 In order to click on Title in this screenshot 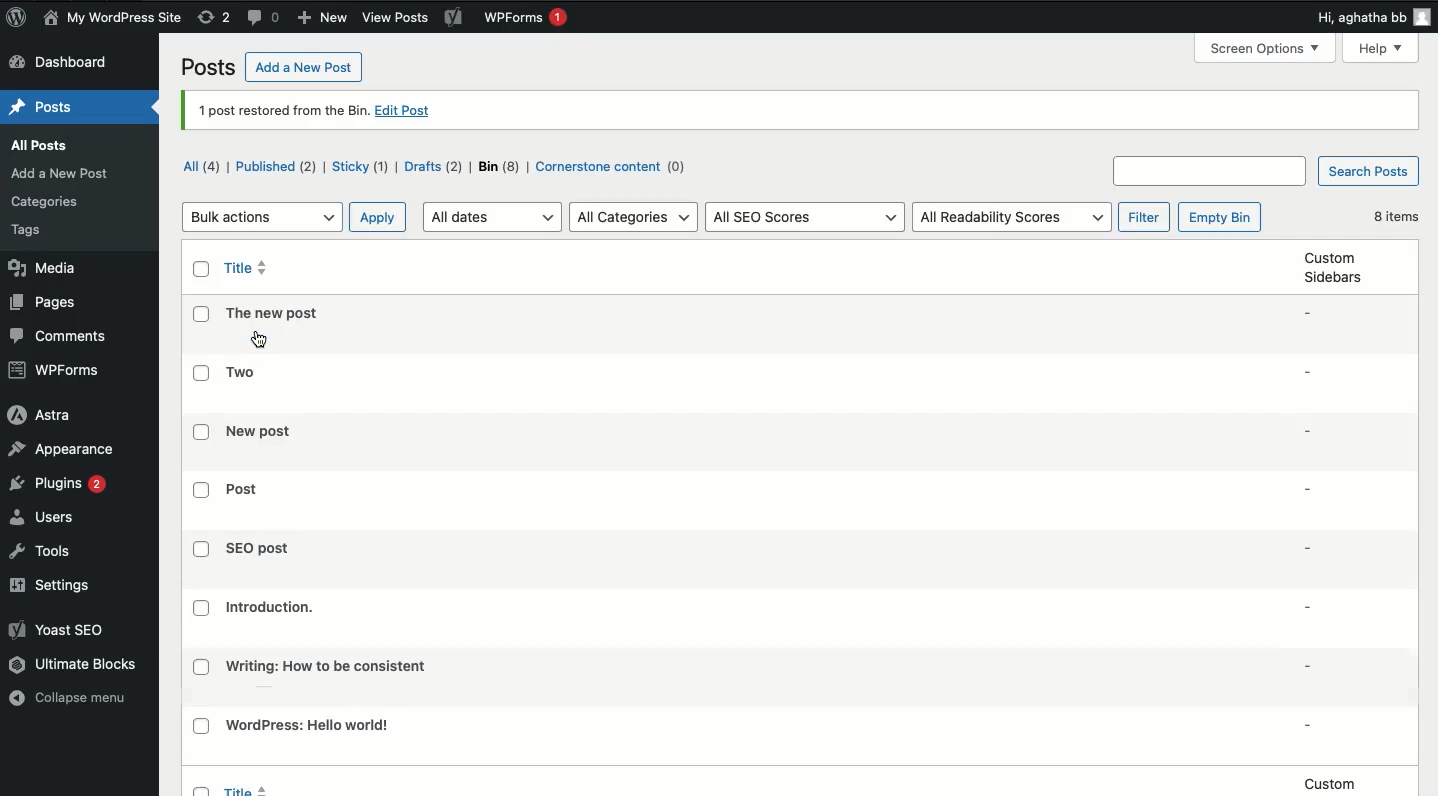, I will do `click(241, 370)`.